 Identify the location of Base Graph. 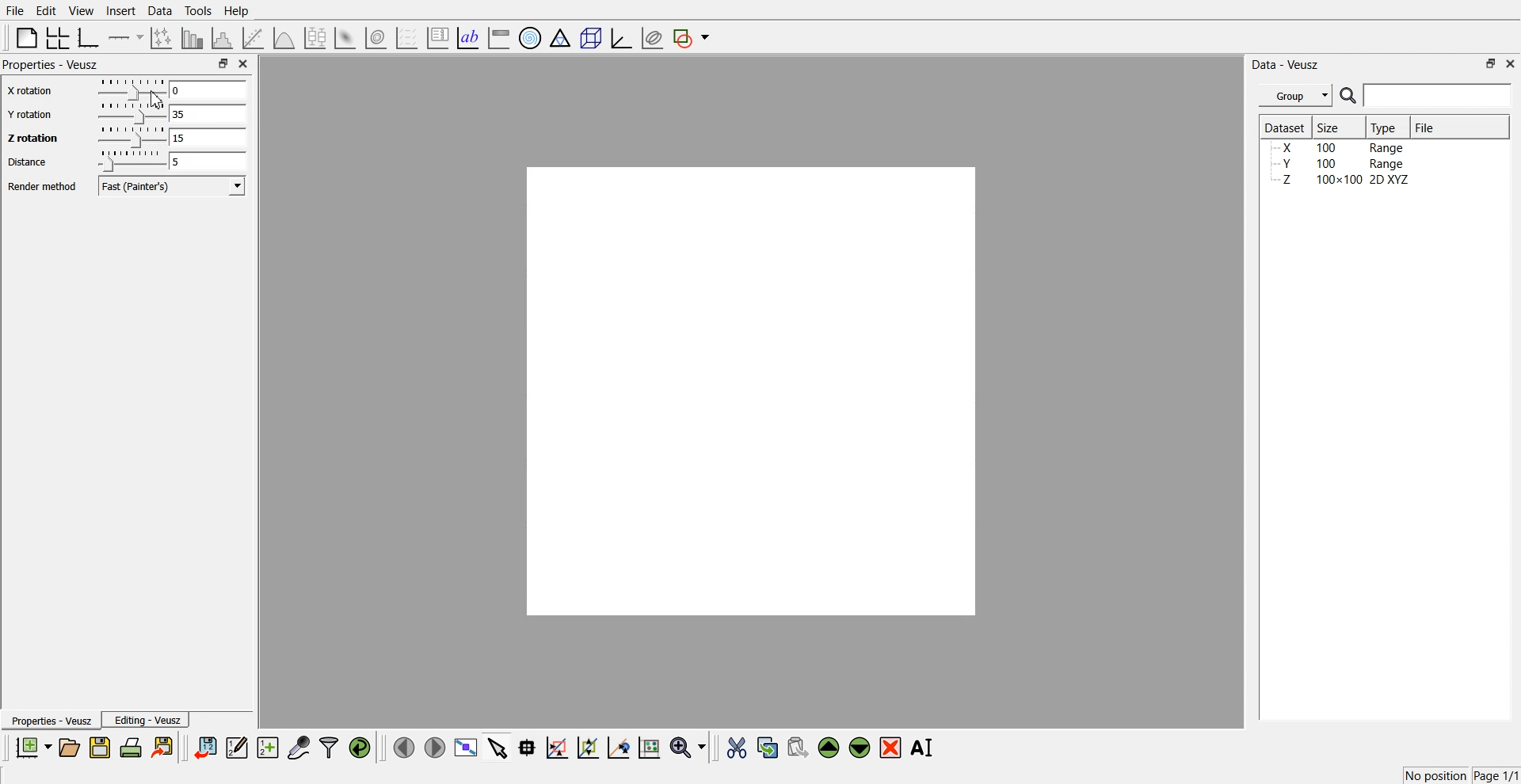
(89, 38).